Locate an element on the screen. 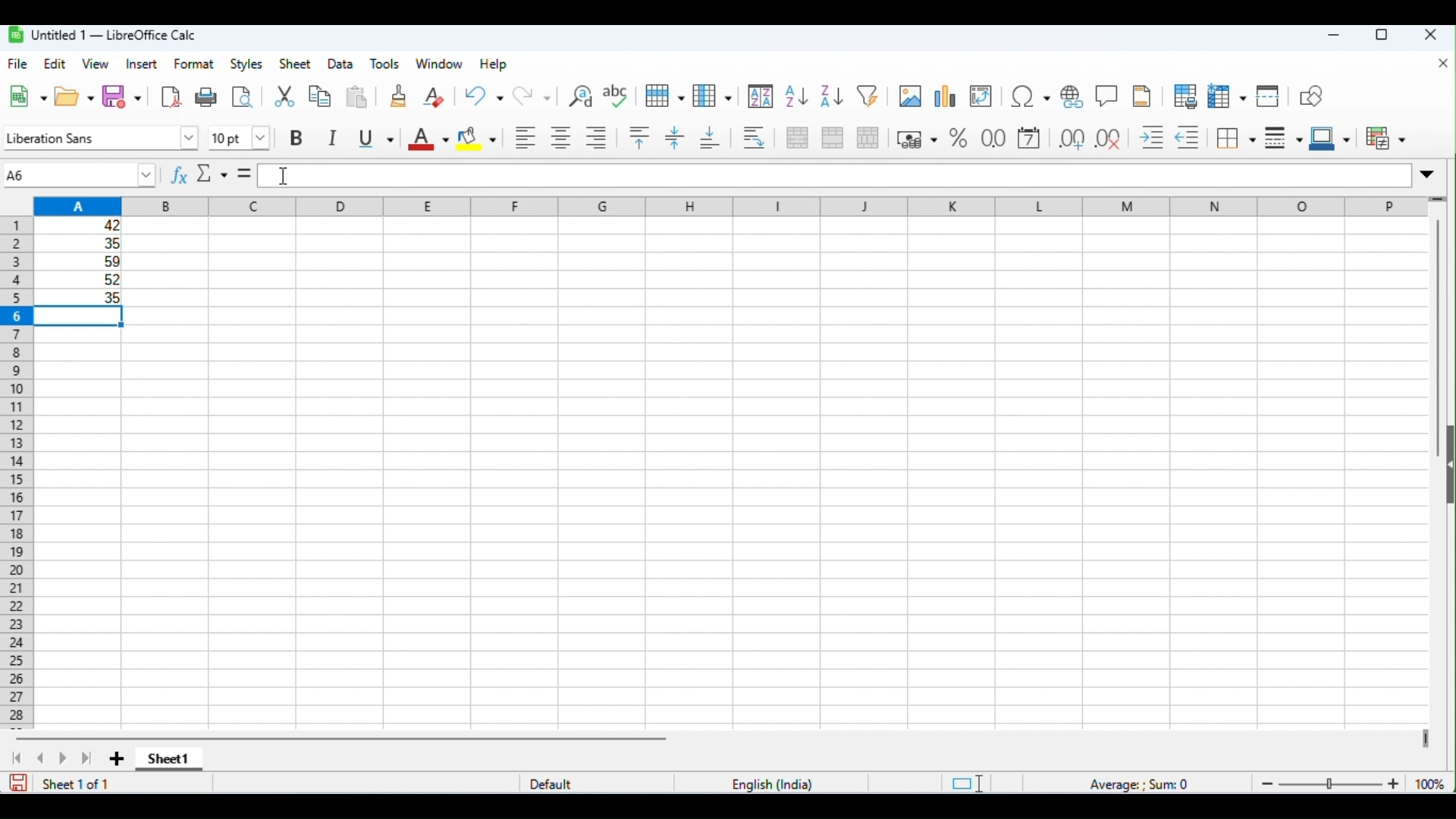 The width and height of the screenshot is (1456, 819). font style is located at coordinates (100, 136).